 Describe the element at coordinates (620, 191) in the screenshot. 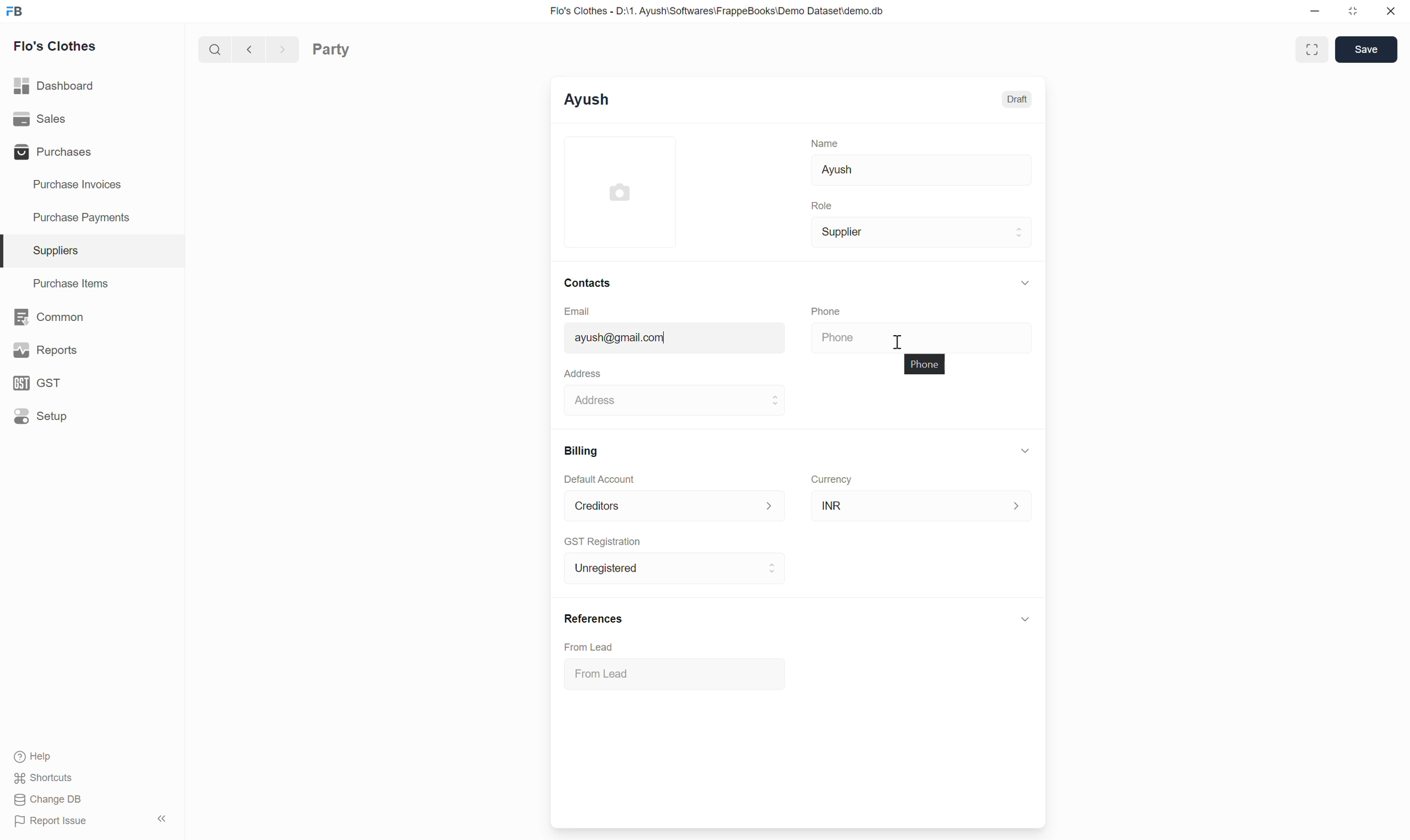

I see `Click to add image` at that location.